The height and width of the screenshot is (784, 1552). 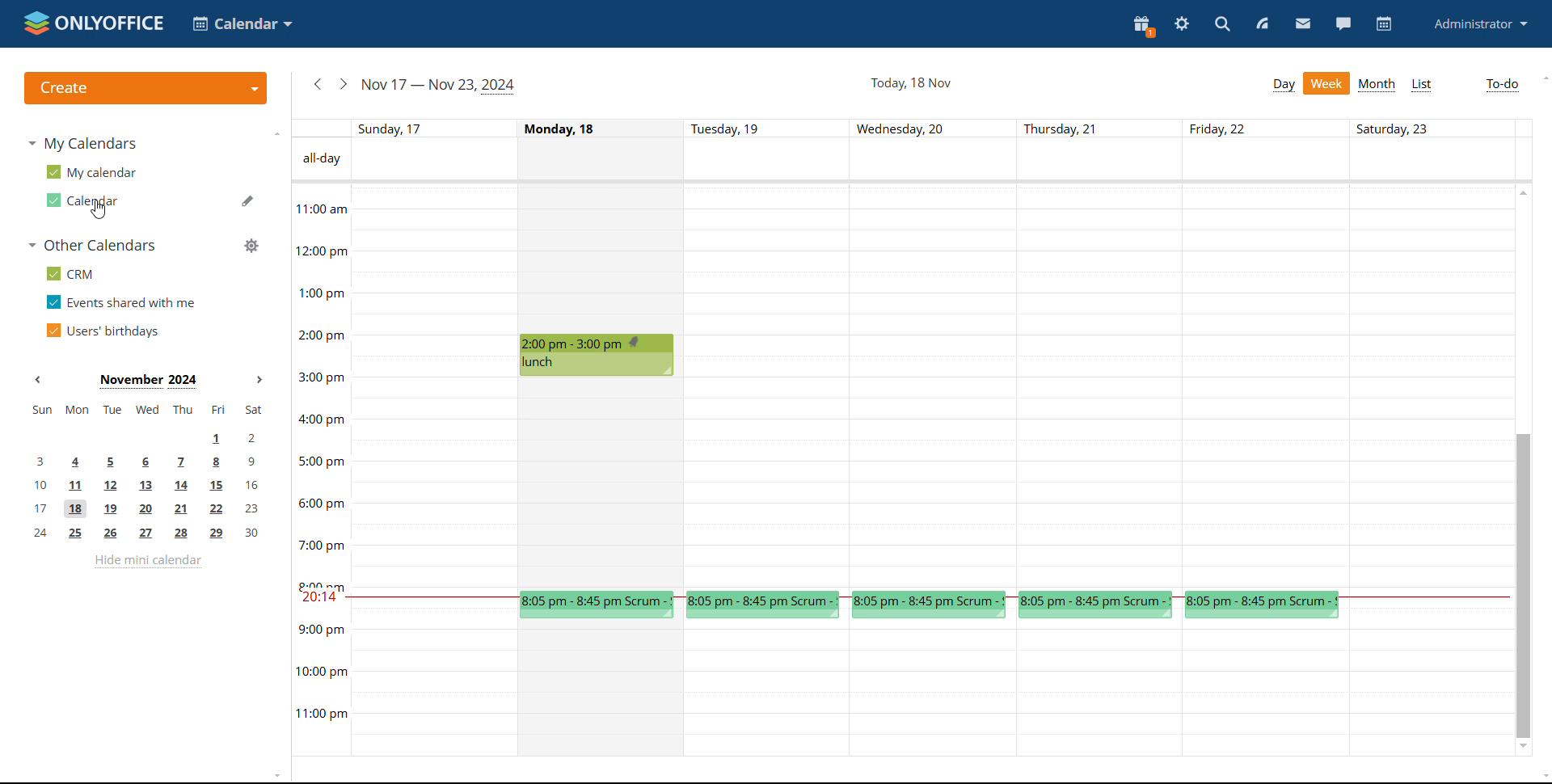 What do you see at coordinates (1481, 23) in the screenshot?
I see `profile` at bounding box center [1481, 23].